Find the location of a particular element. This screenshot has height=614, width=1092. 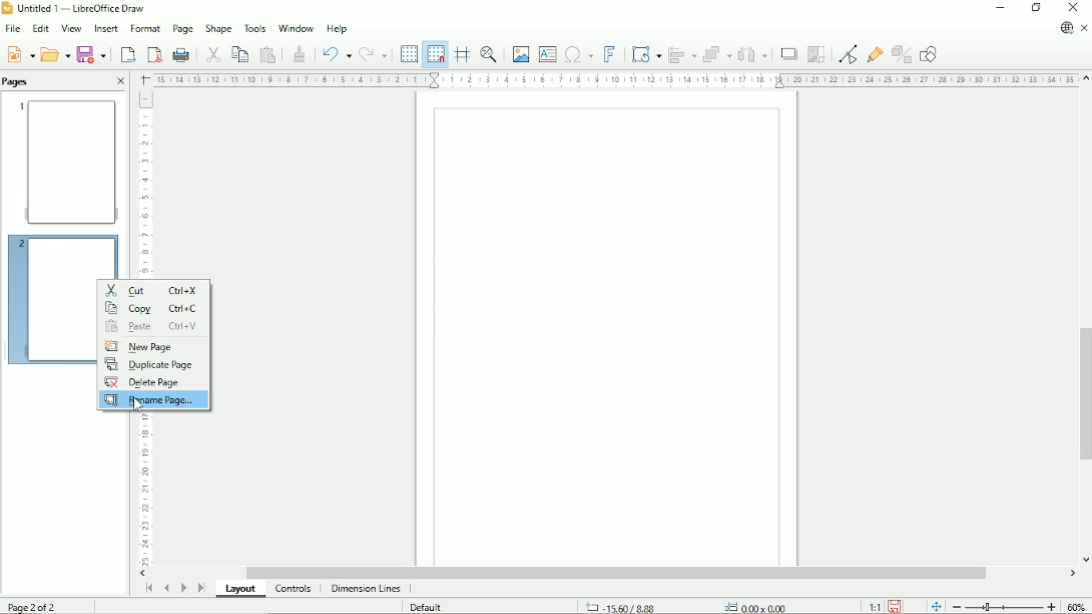

Print is located at coordinates (182, 55).